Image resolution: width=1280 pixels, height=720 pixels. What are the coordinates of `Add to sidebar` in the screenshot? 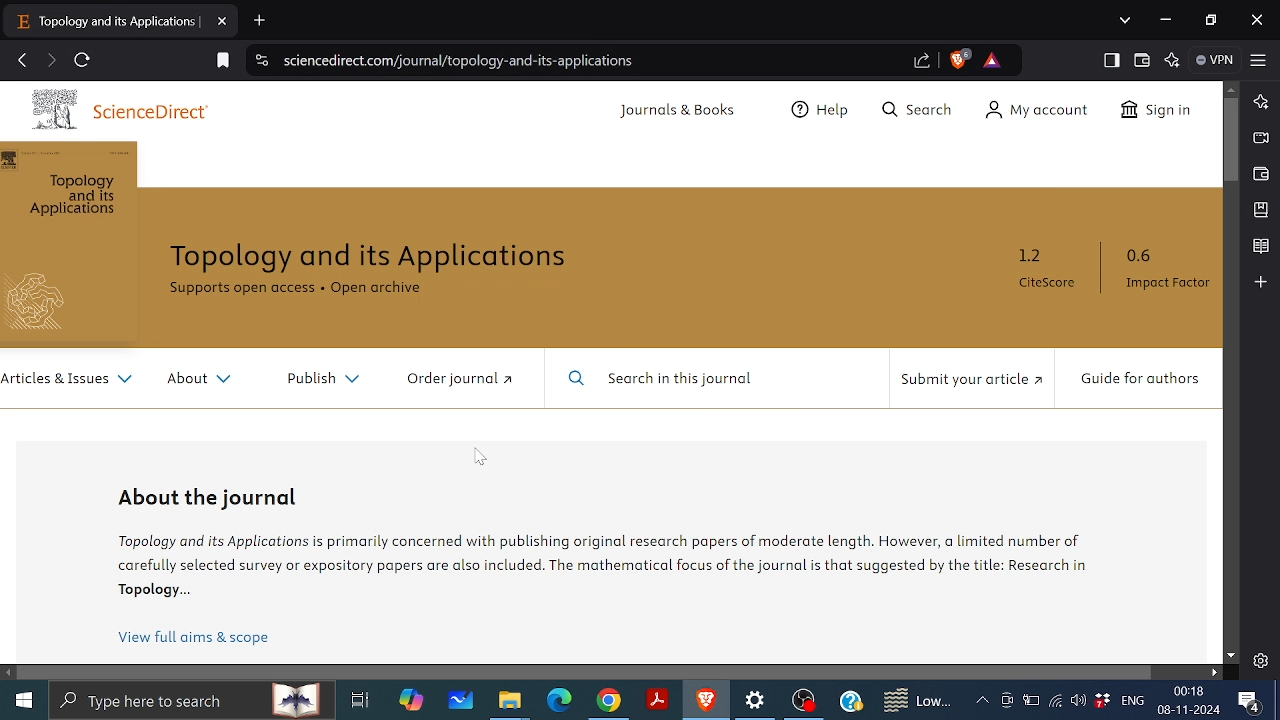 It's located at (1262, 283).